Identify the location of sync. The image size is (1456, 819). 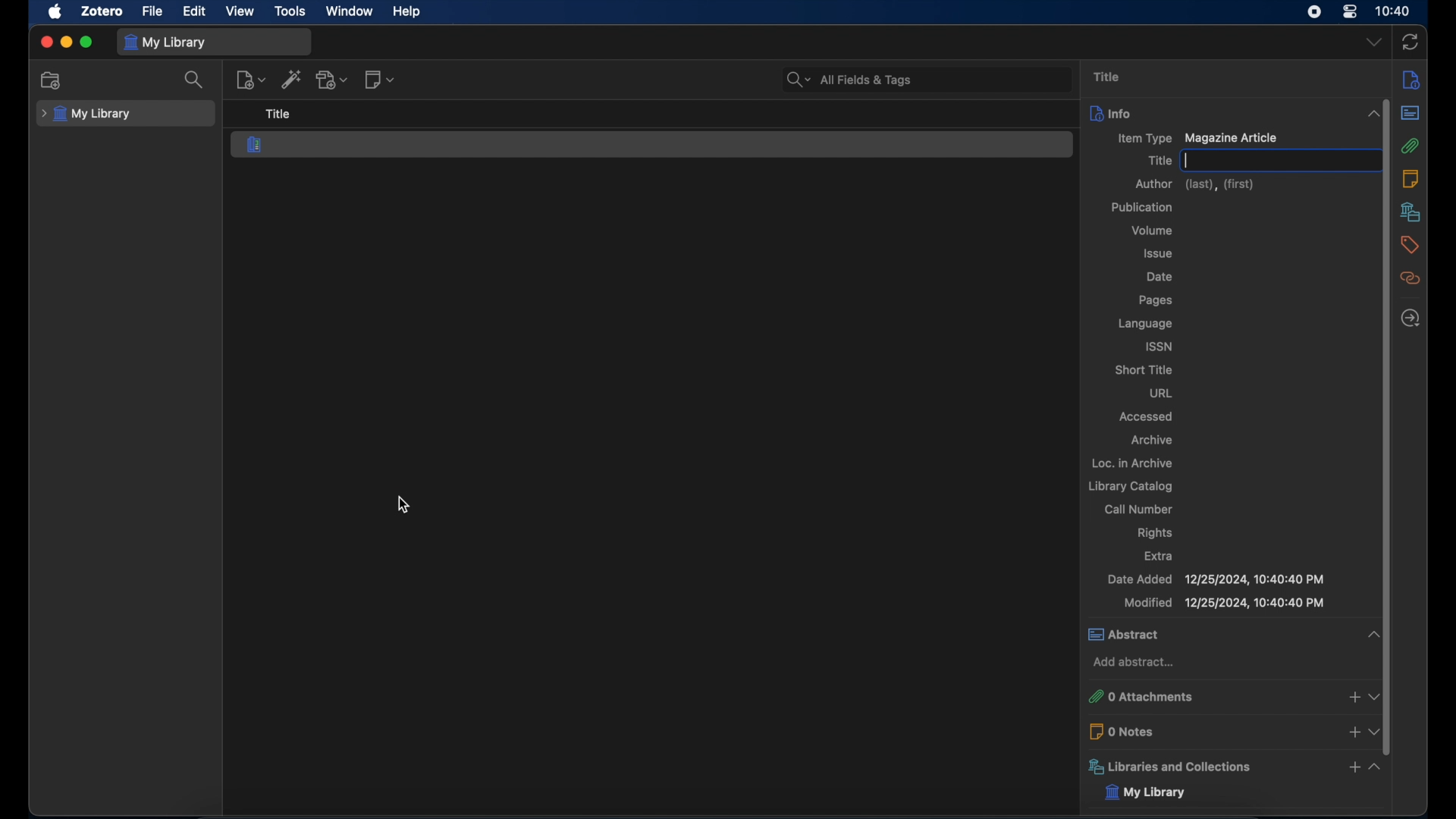
(1410, 43).